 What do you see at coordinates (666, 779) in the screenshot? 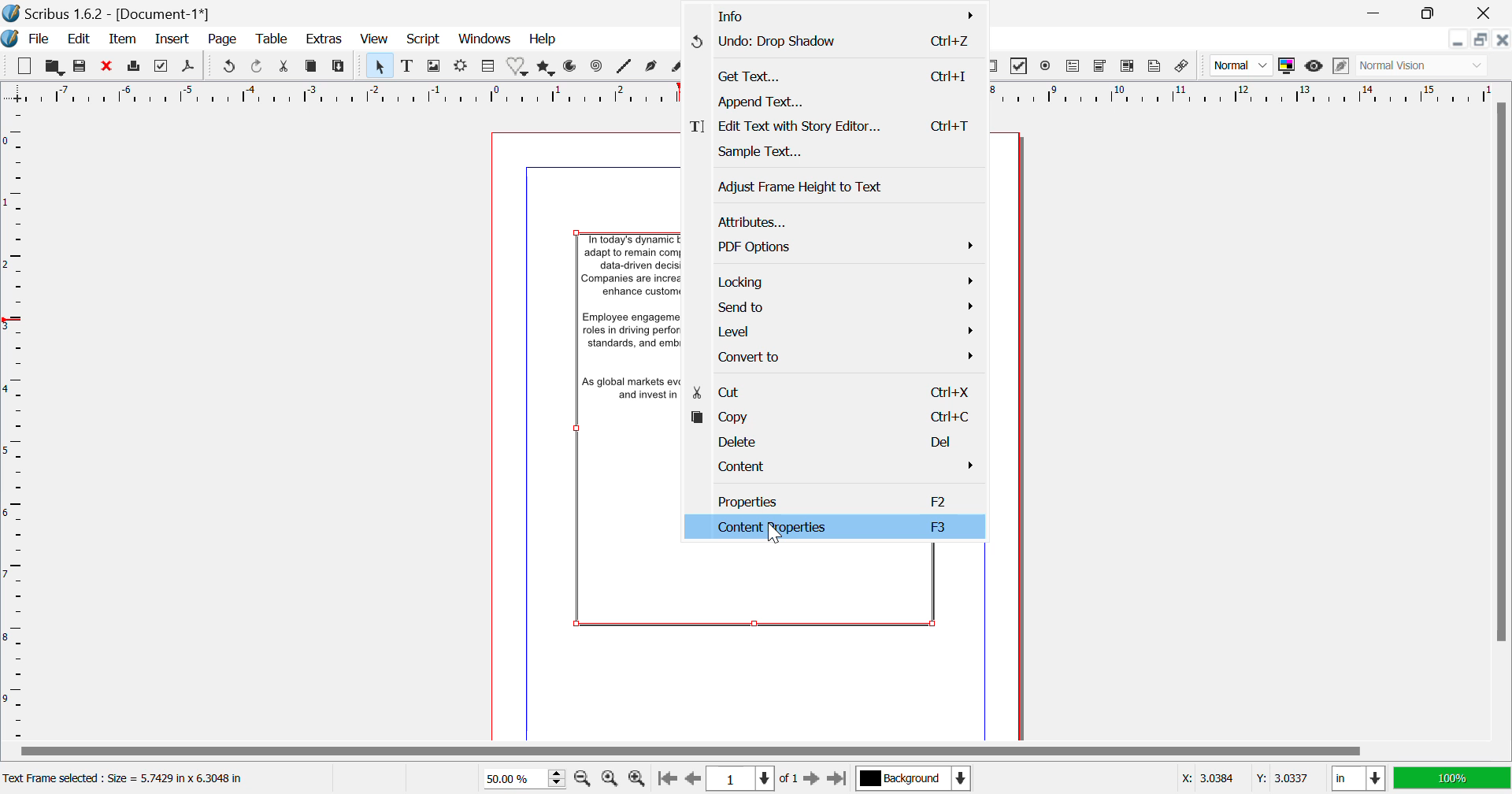
I see `First Page` at bounding box center [666, 779].